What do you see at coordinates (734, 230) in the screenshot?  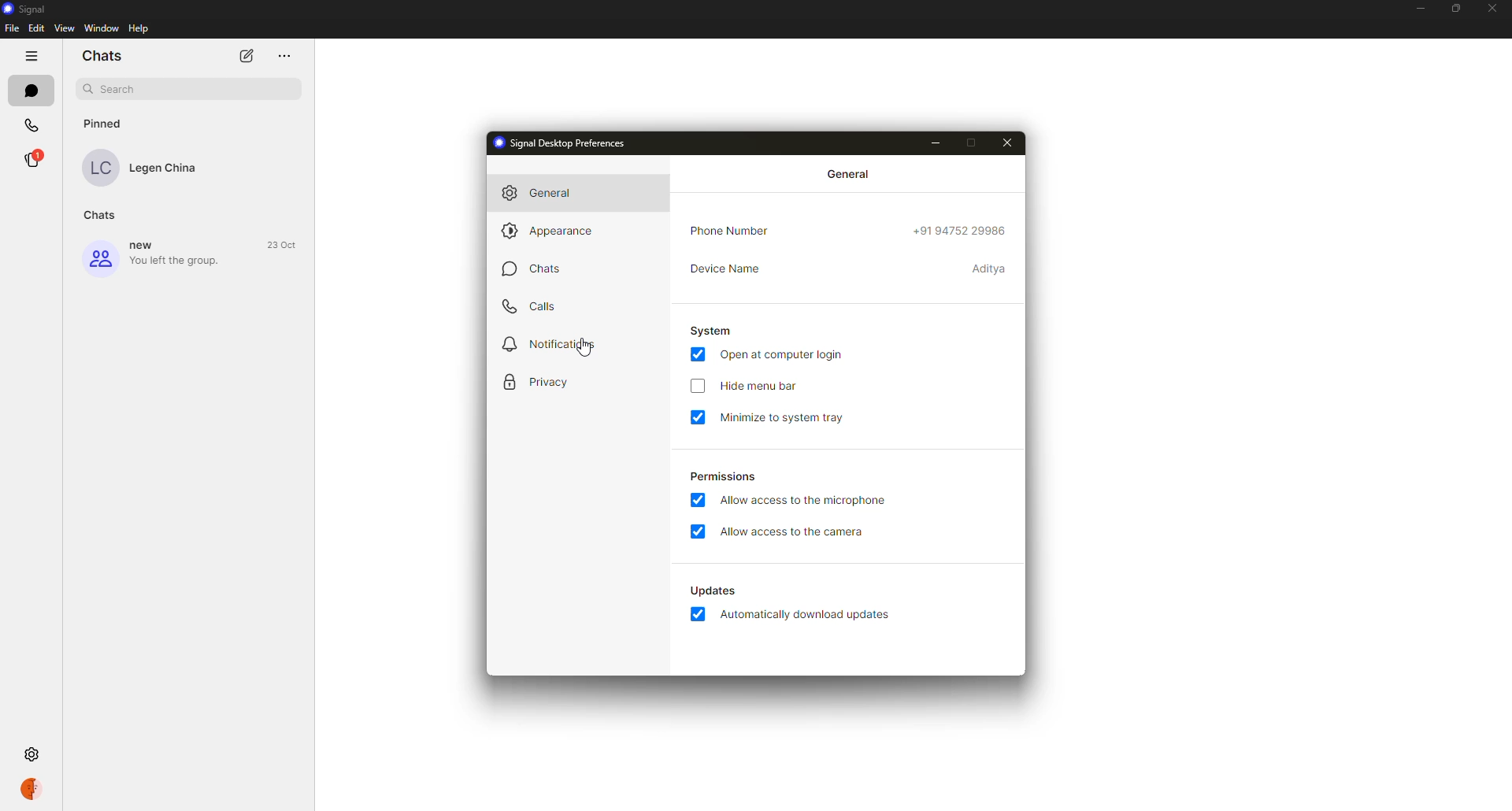 I see `phone number` at bounding box center [734, 230].